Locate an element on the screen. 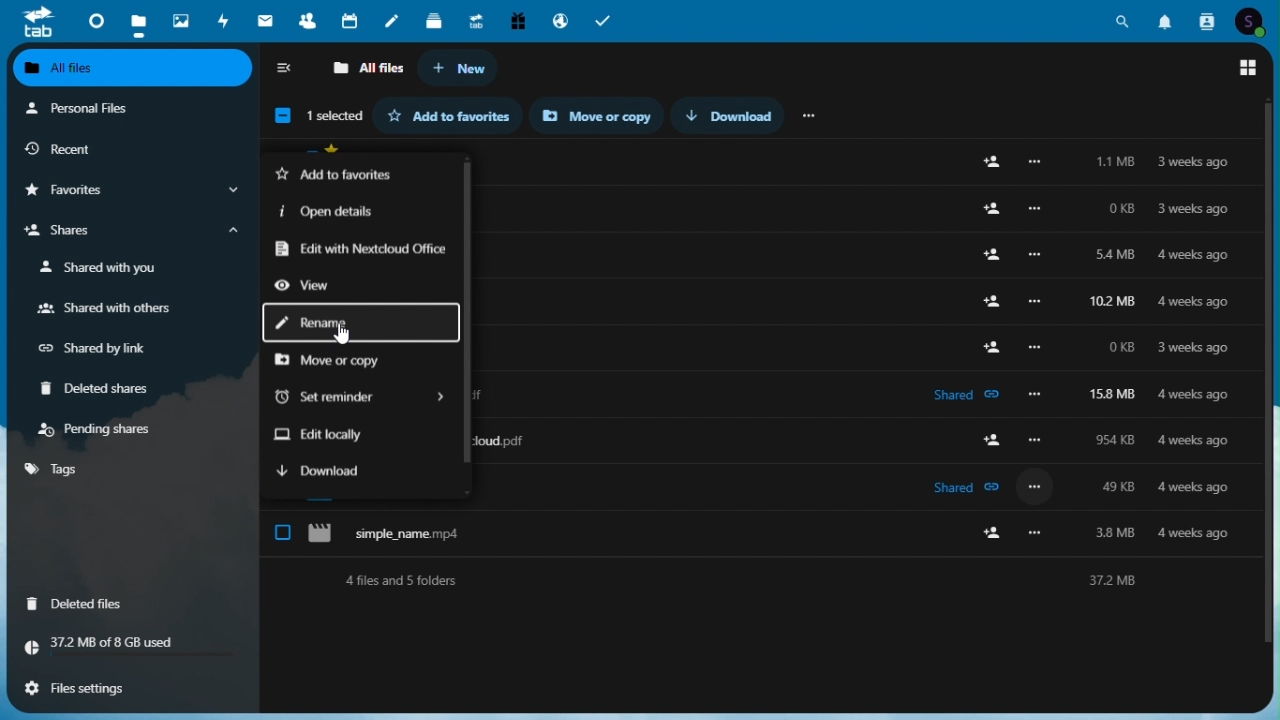  free trial is located at coordinates (516, 19).